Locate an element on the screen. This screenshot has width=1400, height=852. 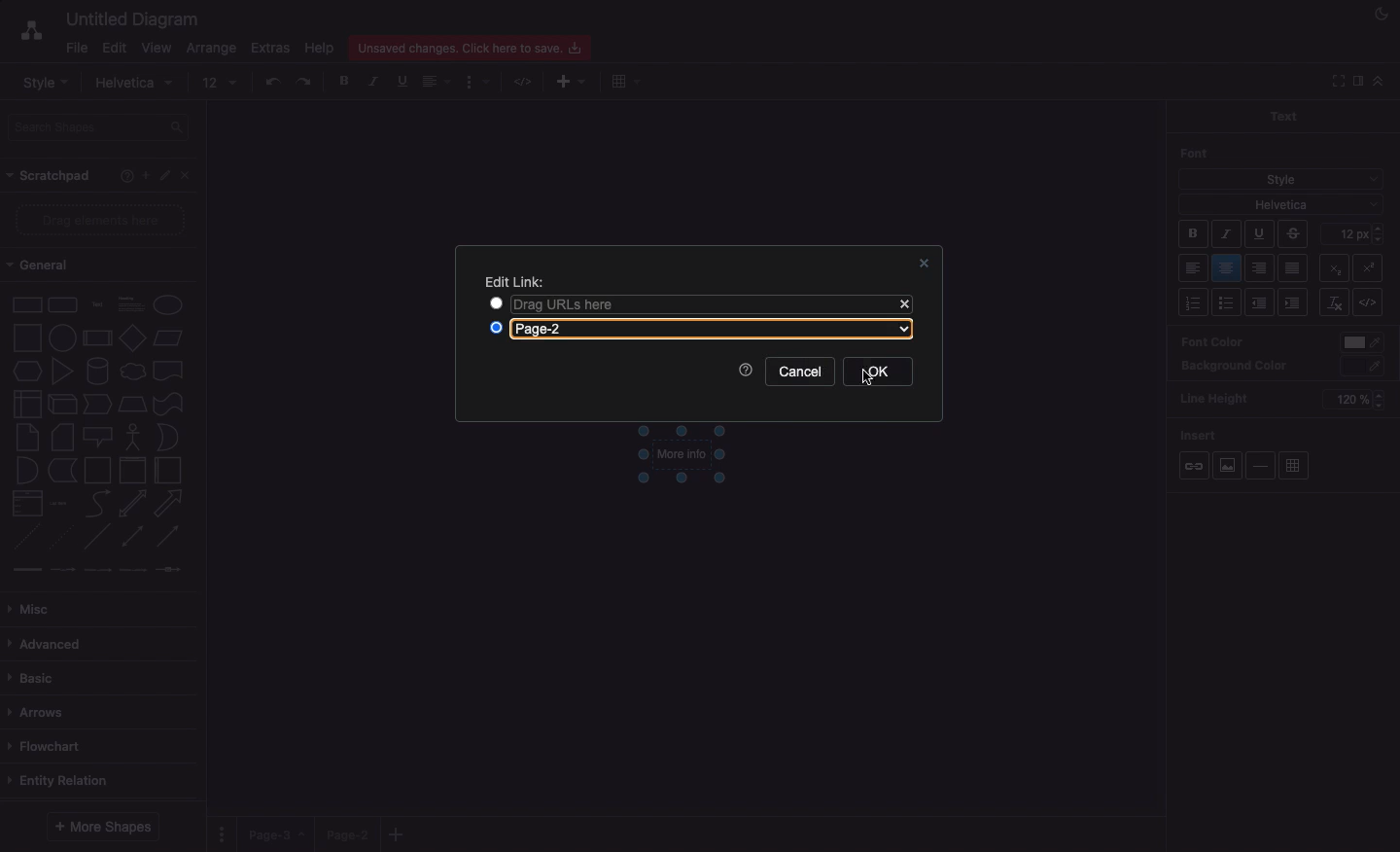
Add is located at coordinates (400, 834).